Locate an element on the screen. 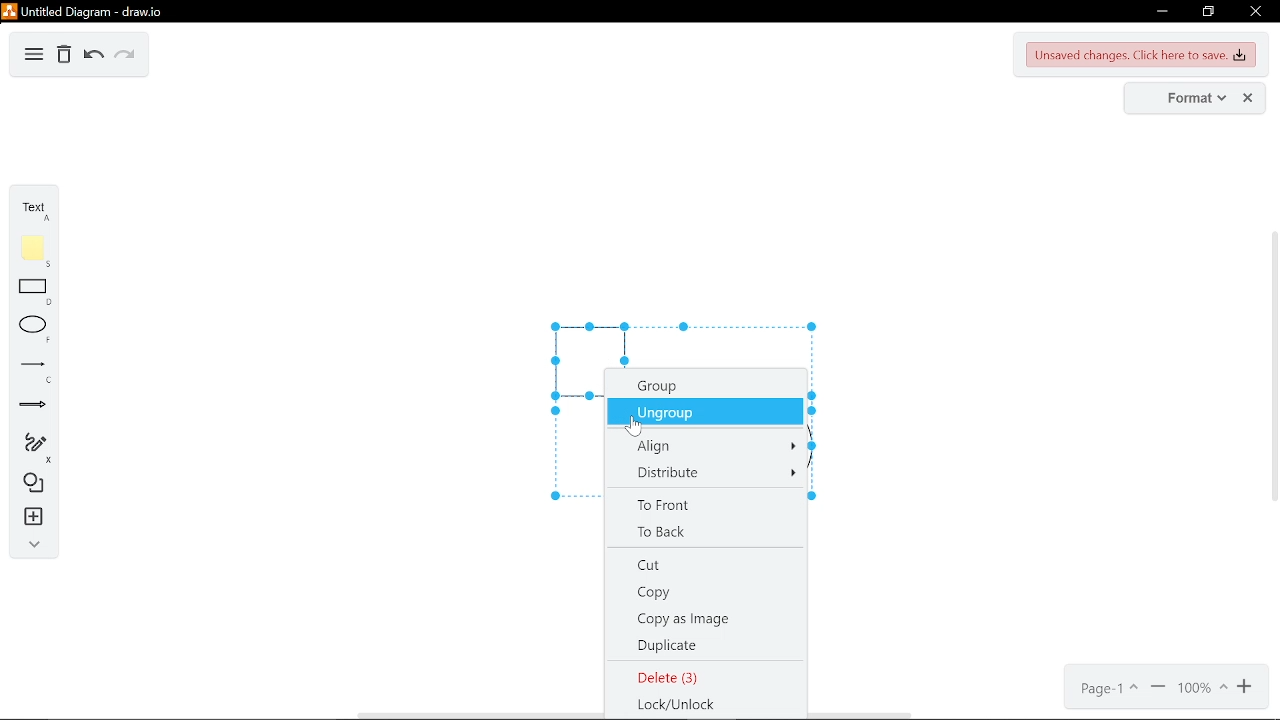 The height and width of the screenshot is (720, 1280). to back is located at coordinates (711, 533).